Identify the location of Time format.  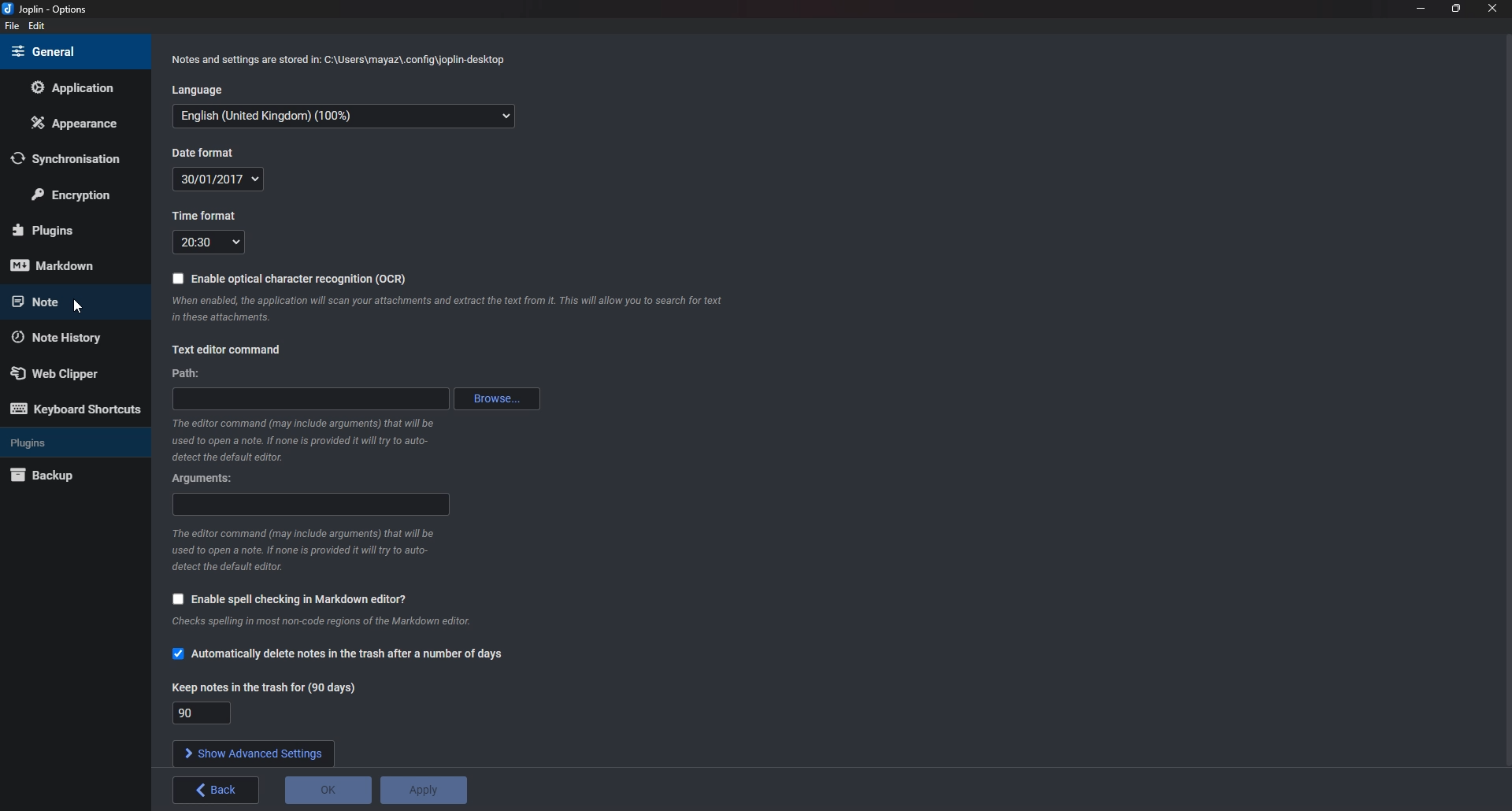
(213, 216).